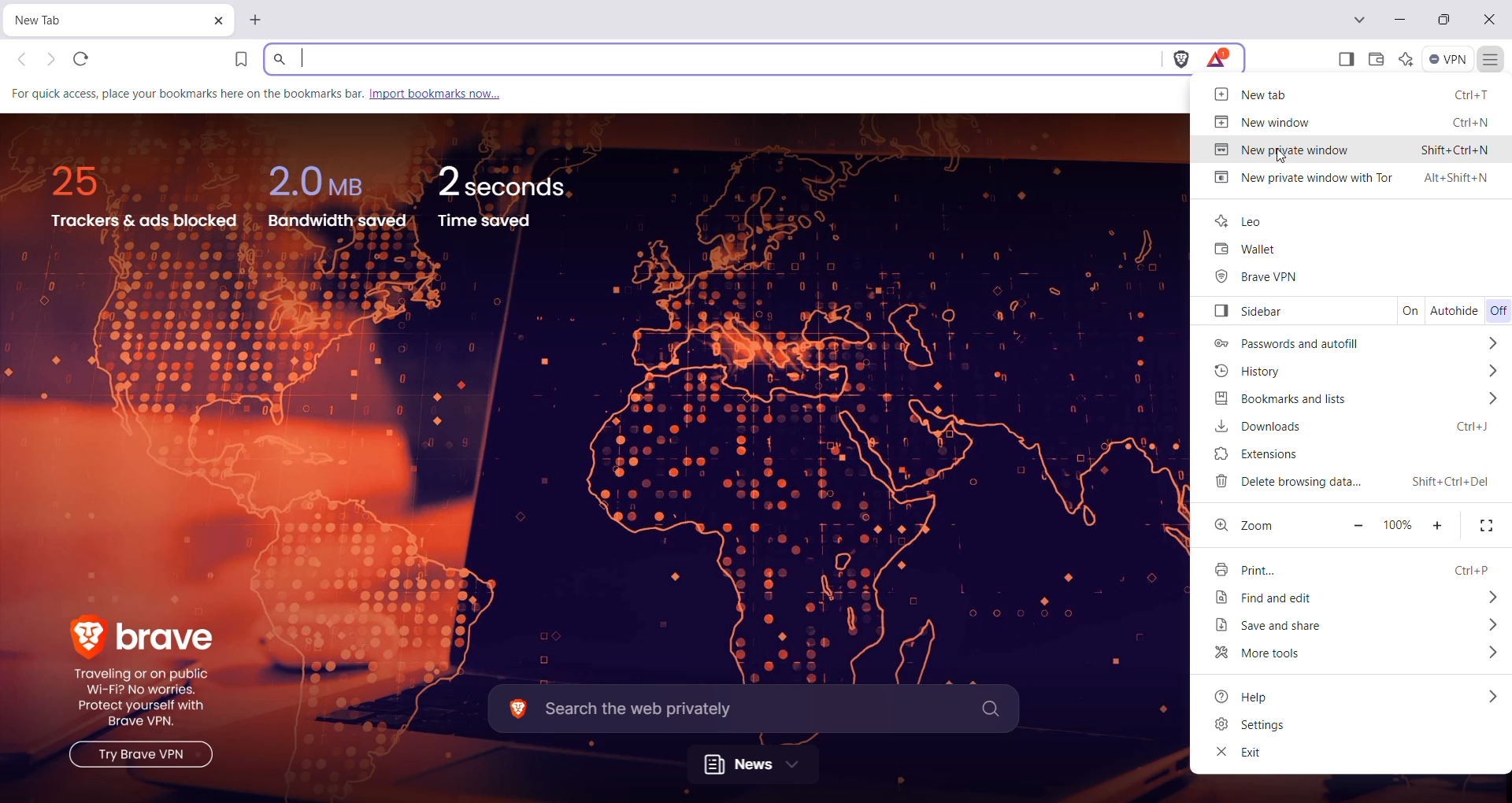 This screenshot has width=1512, height=803. What do you see at coordinates (1284, 343) in the screenshot?
I see `Passwords and autofill` at bounding box center [1284, 343].